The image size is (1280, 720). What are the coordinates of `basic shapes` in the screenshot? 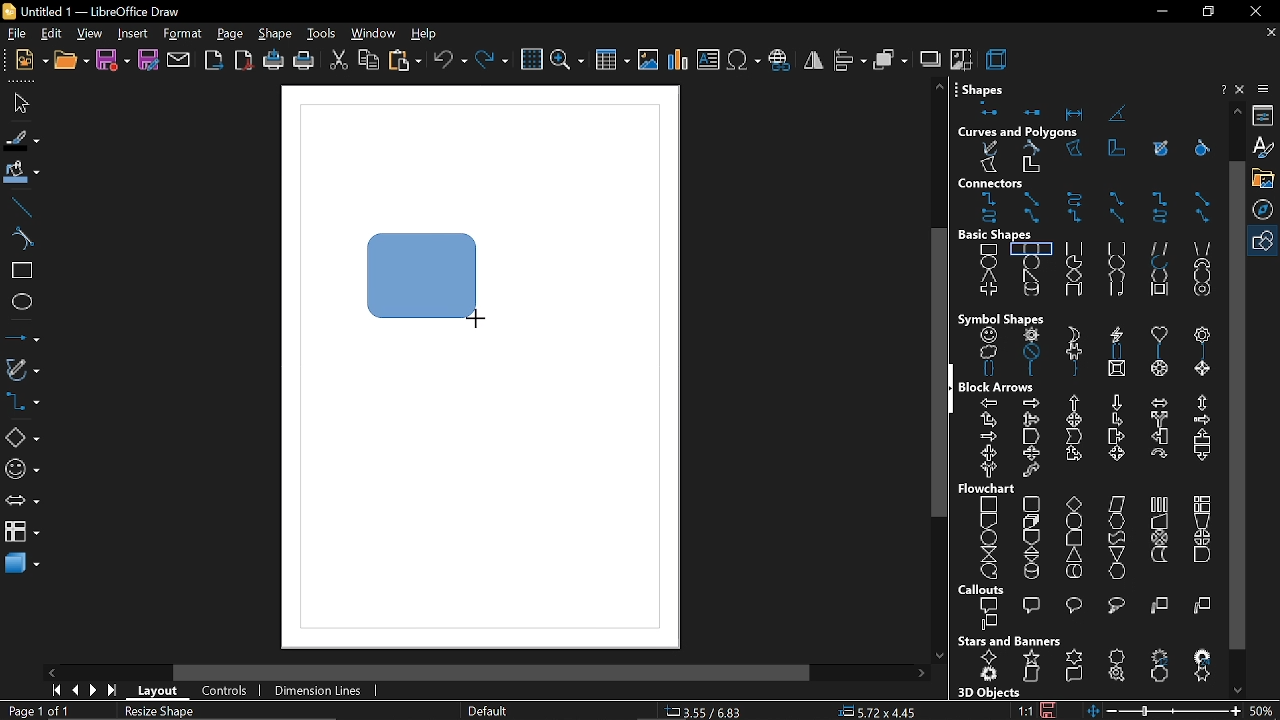 It's located at (1092, 273).